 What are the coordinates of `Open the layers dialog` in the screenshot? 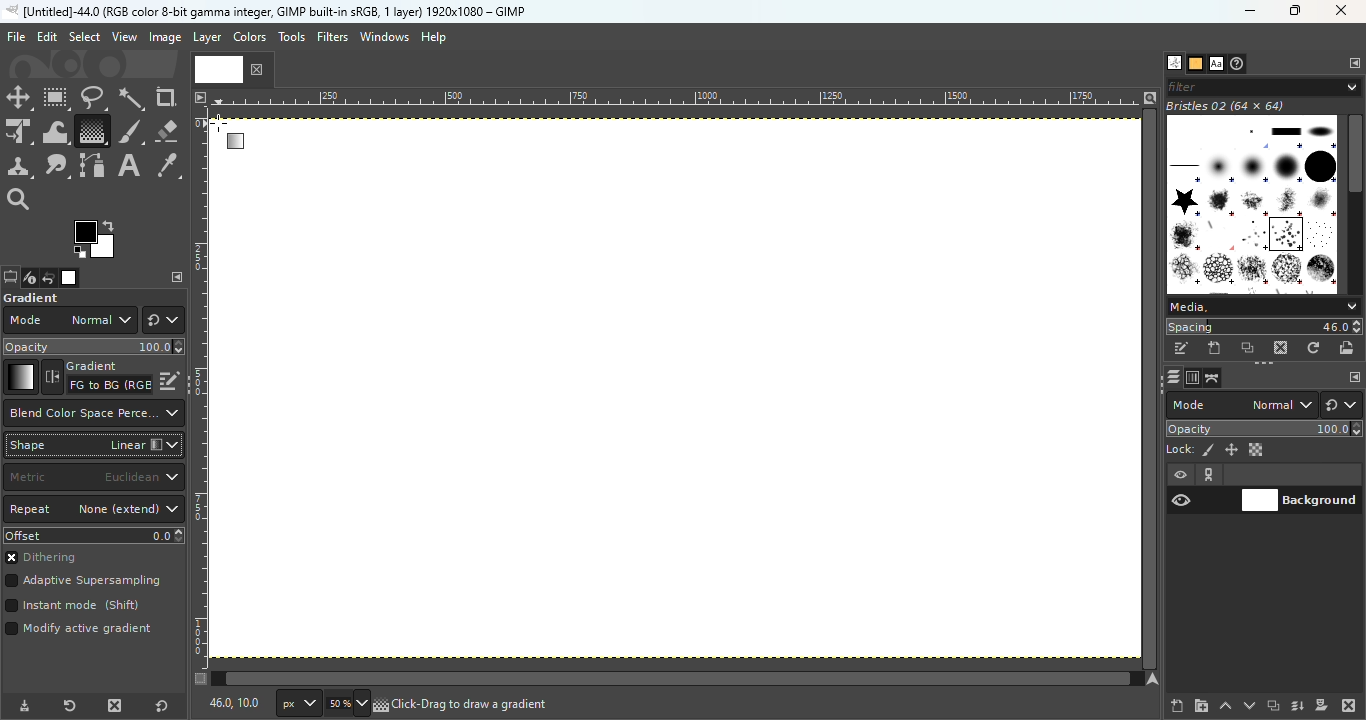 It's located at (1171, 377).